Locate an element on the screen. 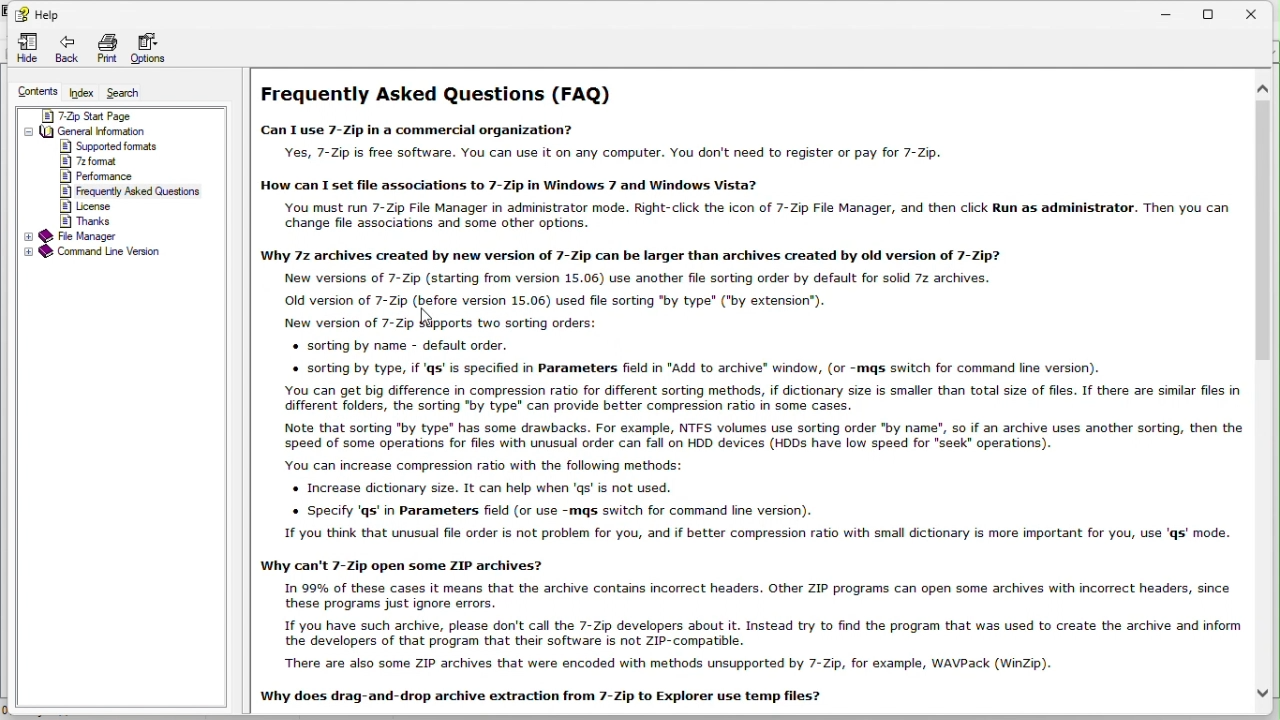  supported formats is located at coordinates (110, 146).